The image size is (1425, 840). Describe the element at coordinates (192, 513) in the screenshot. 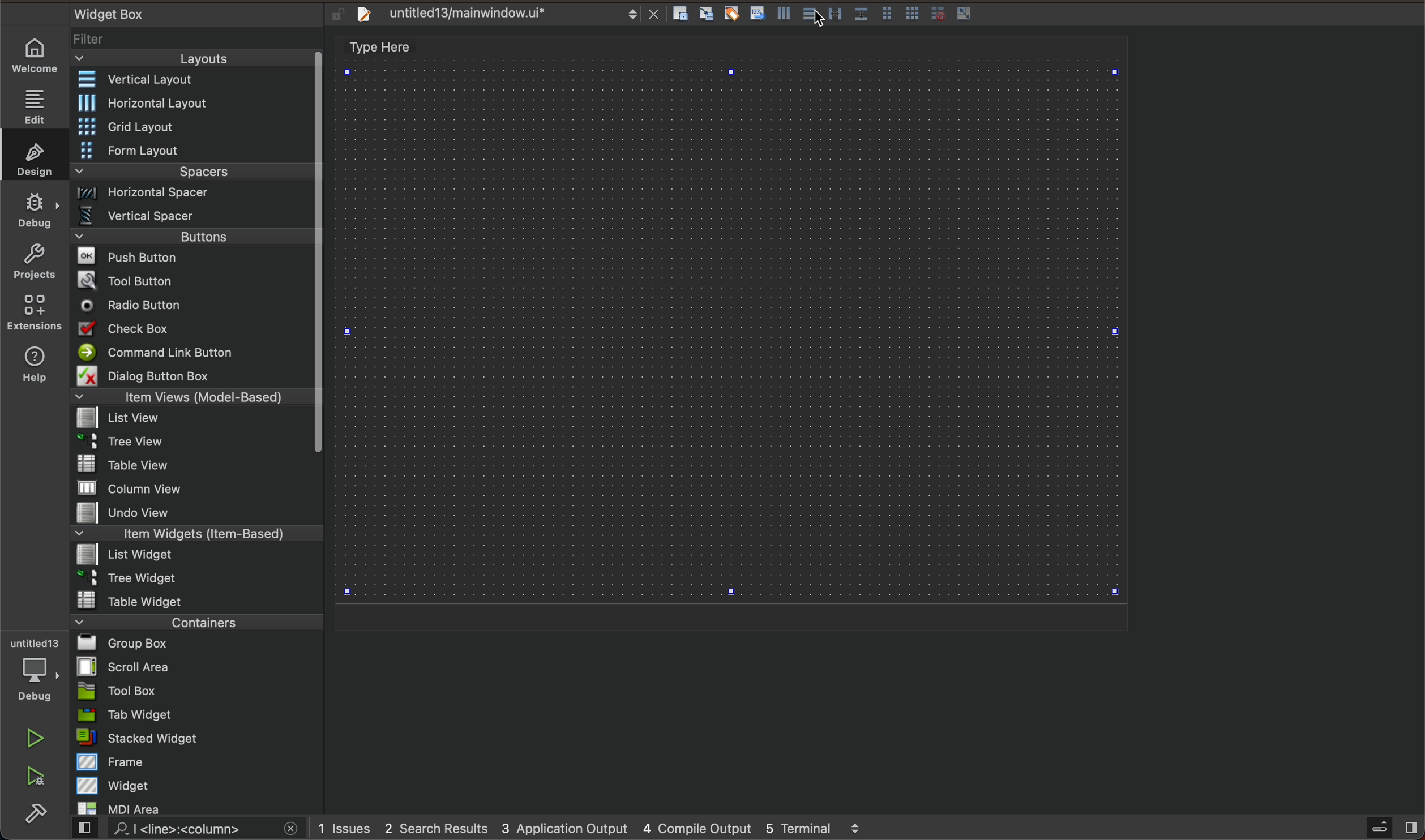

I see `undo view` at that location.